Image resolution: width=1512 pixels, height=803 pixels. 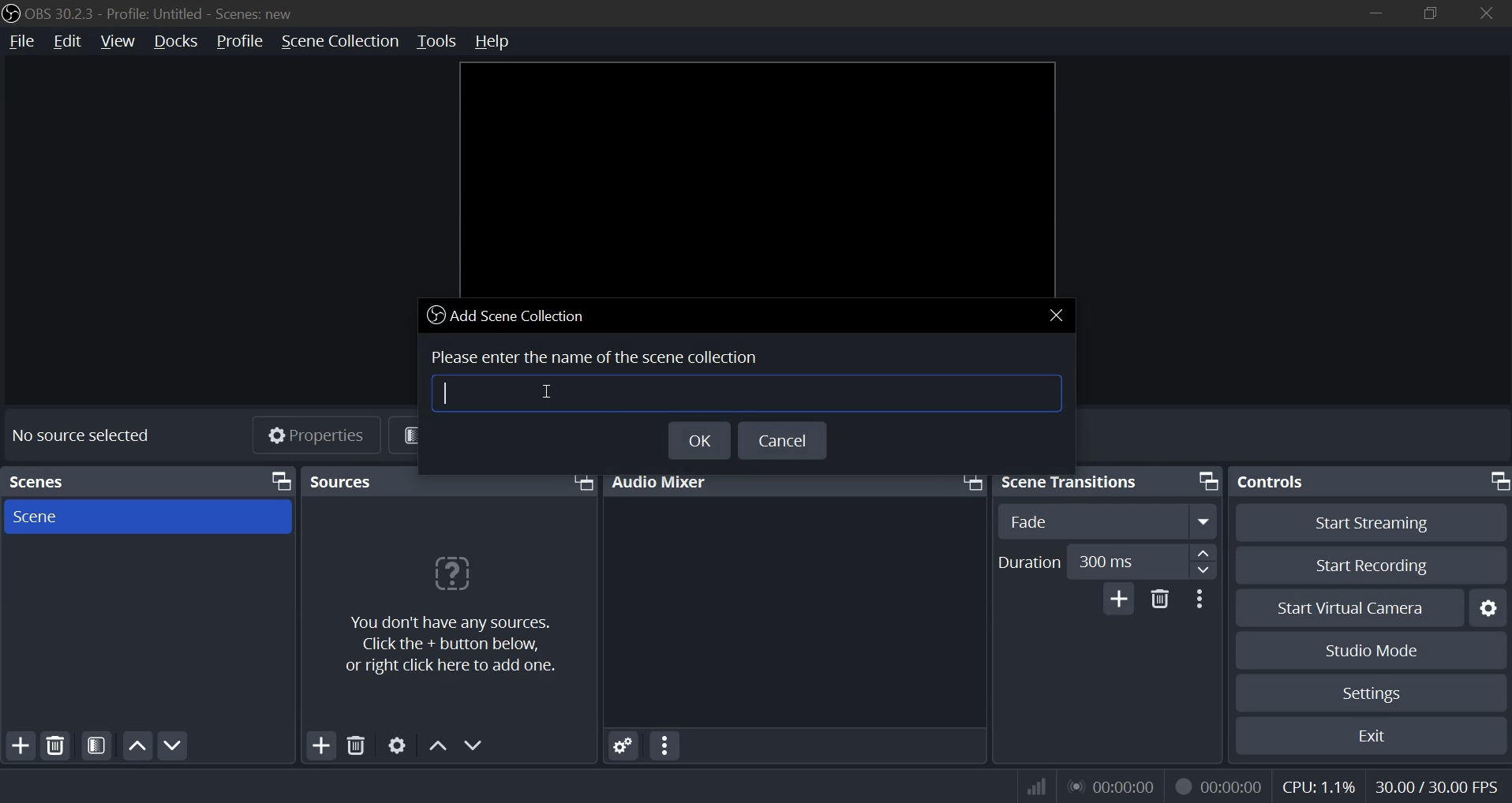 I want to click on Input Cursor, so click(x=448, y=393).